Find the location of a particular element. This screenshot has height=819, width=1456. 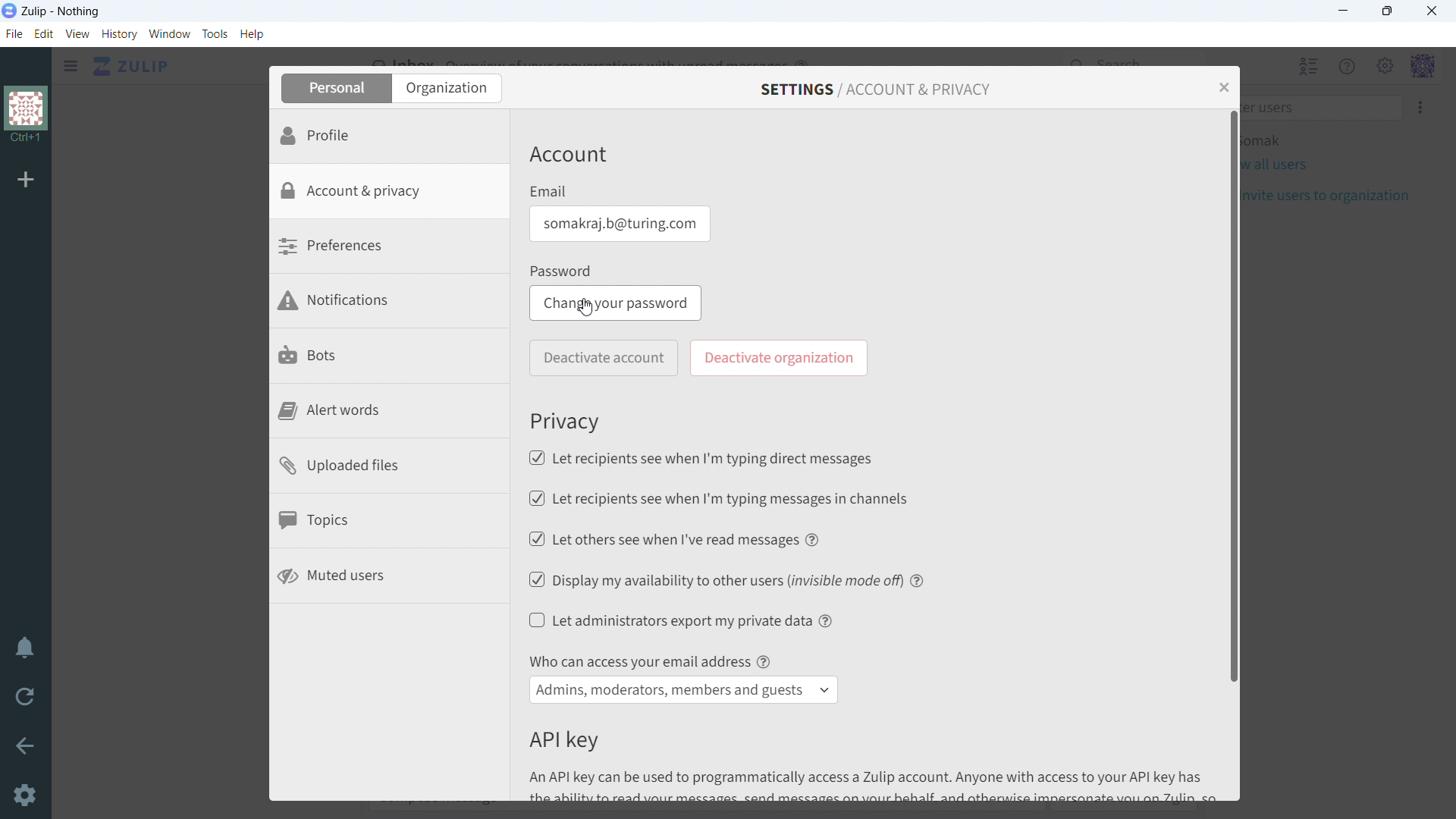

alert words is located at coordinates (391, 411).